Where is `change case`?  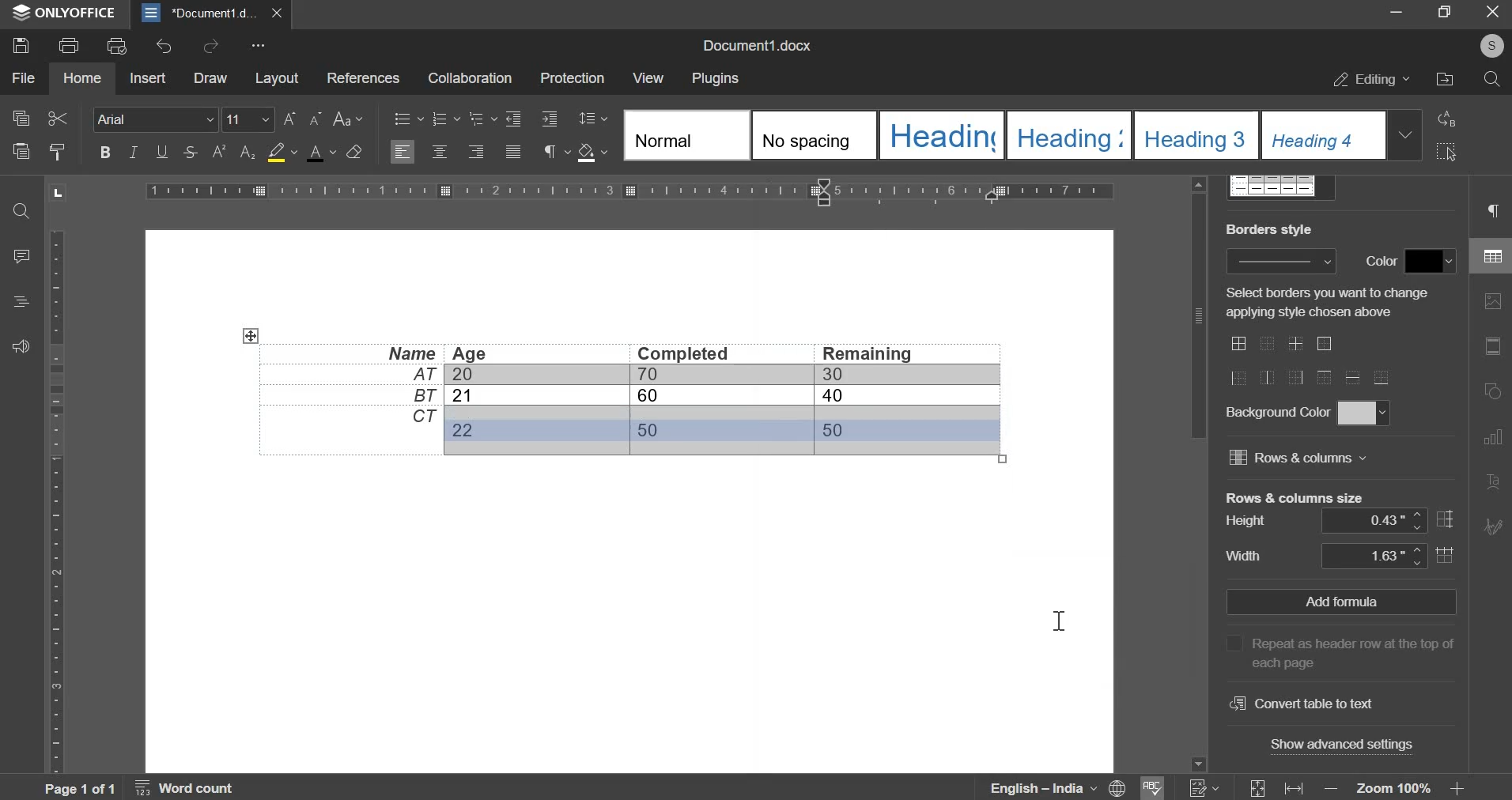
change case is located at coordinates (345, 116).